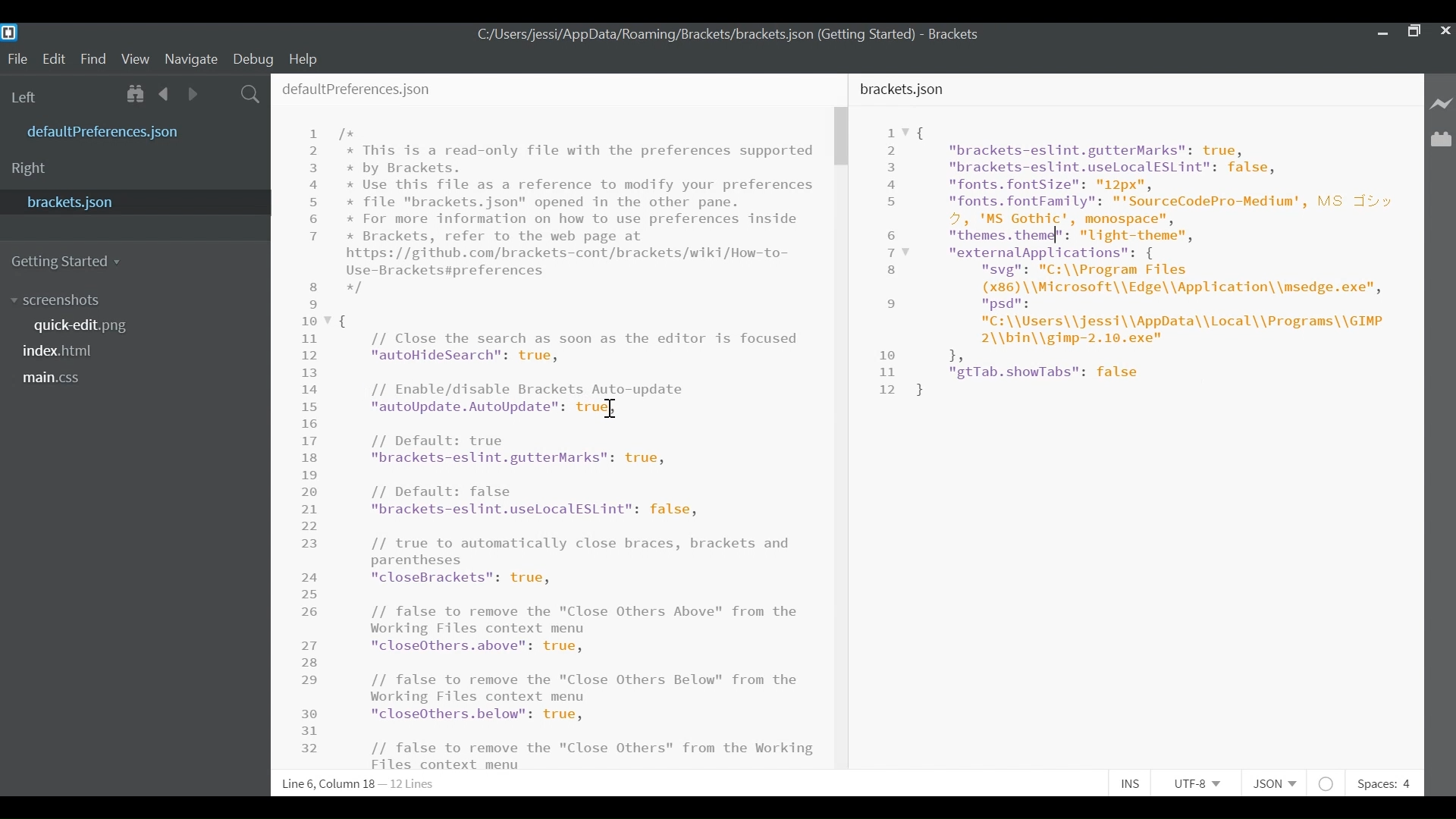 The width and height of the screenshot is (1456, 819). What do you see at coordinates (1414, 30) in the screenshot?
I see `Restore` at bounding box center [1414, 30].